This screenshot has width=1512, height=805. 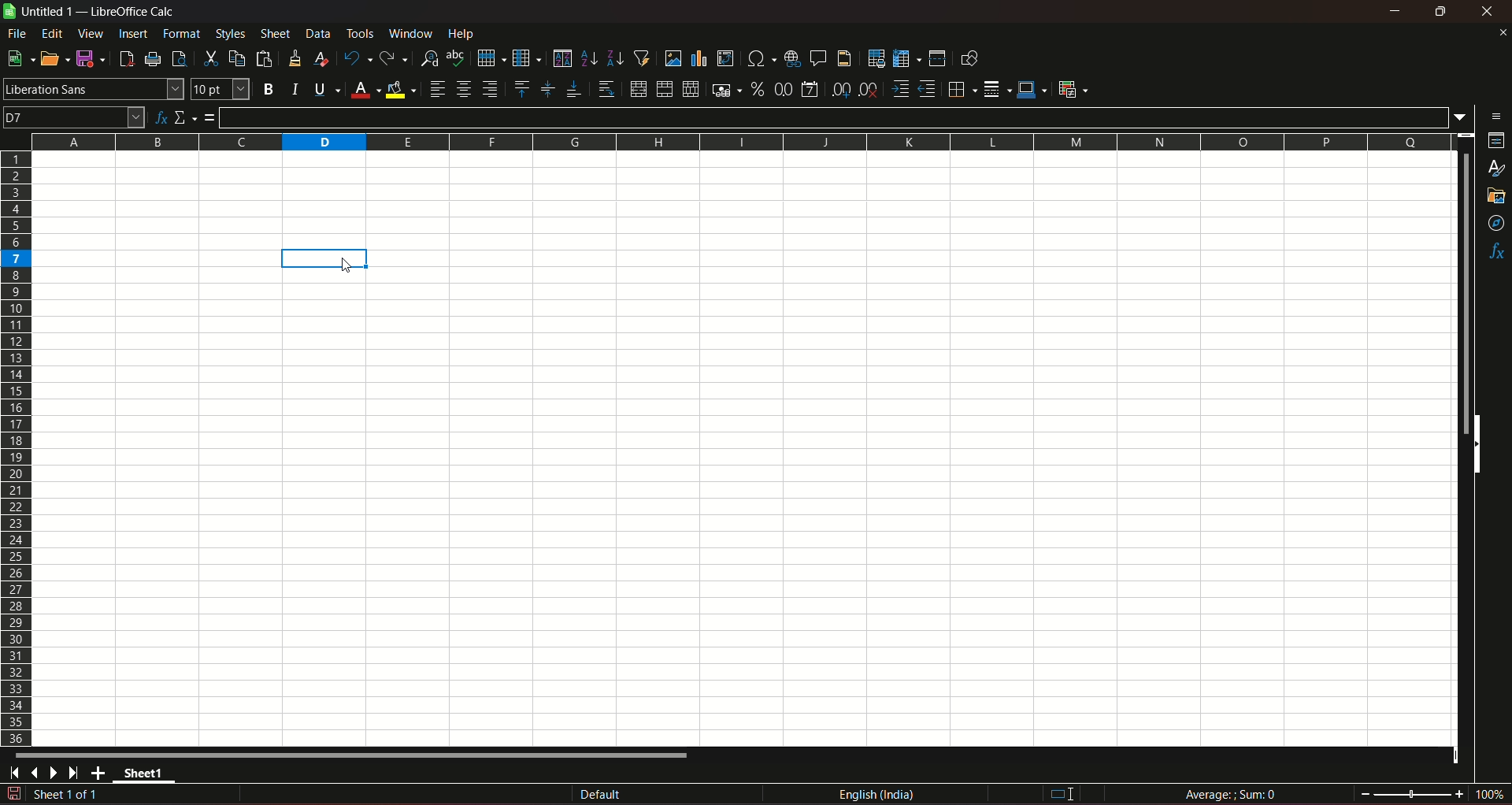 I want to click on highlight, so click(x=325, y=258).